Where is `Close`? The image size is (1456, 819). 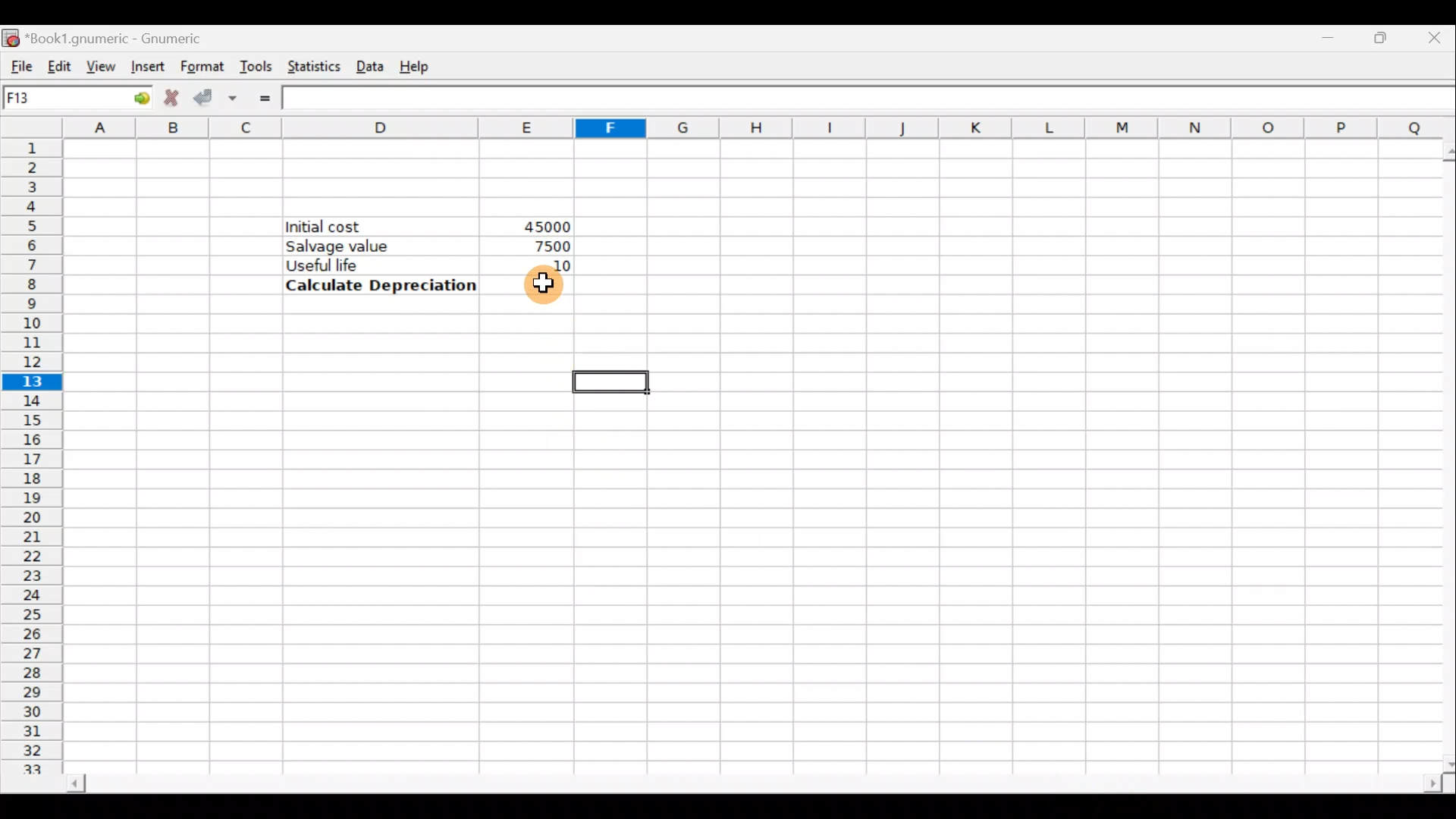 Close is located at coordinates (1425, 42).